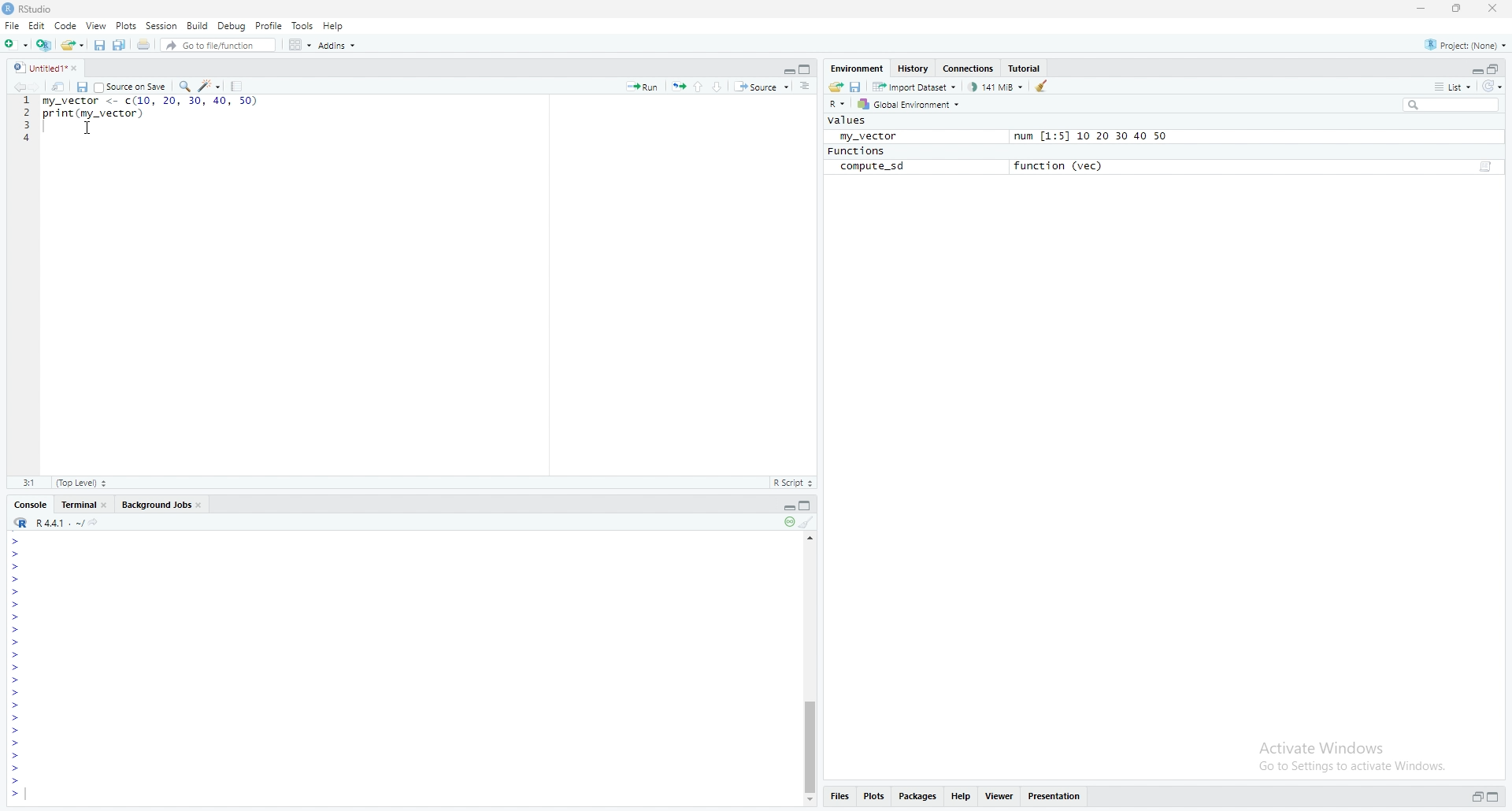  Describe the element at coordinates (677, 87) in the screenshot. I see `Re-run the previous code region (Ctrl + Alt + P)` at that location.